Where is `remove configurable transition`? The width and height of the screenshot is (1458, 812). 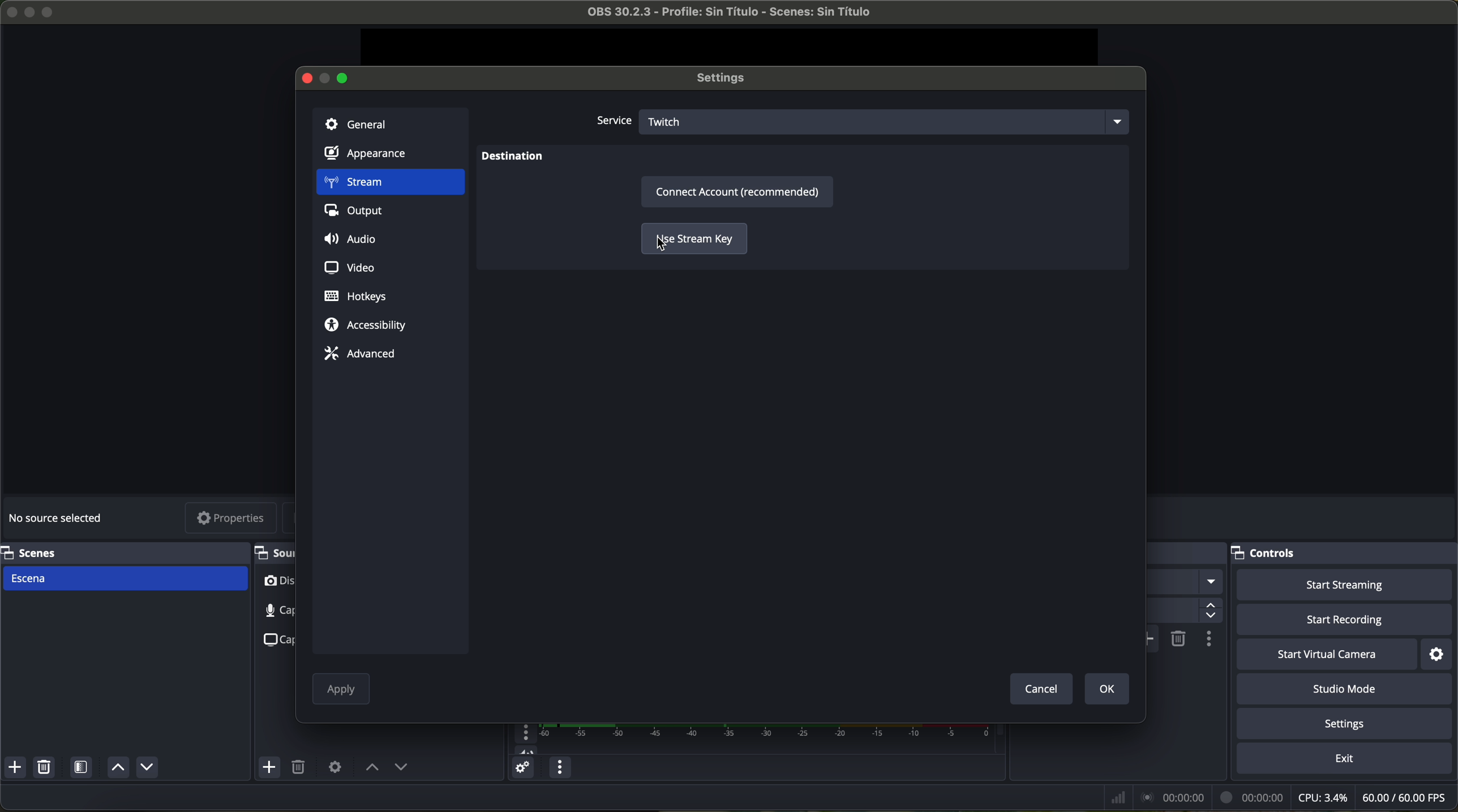 remove configurable transition is located at coordinates (1179, 638).